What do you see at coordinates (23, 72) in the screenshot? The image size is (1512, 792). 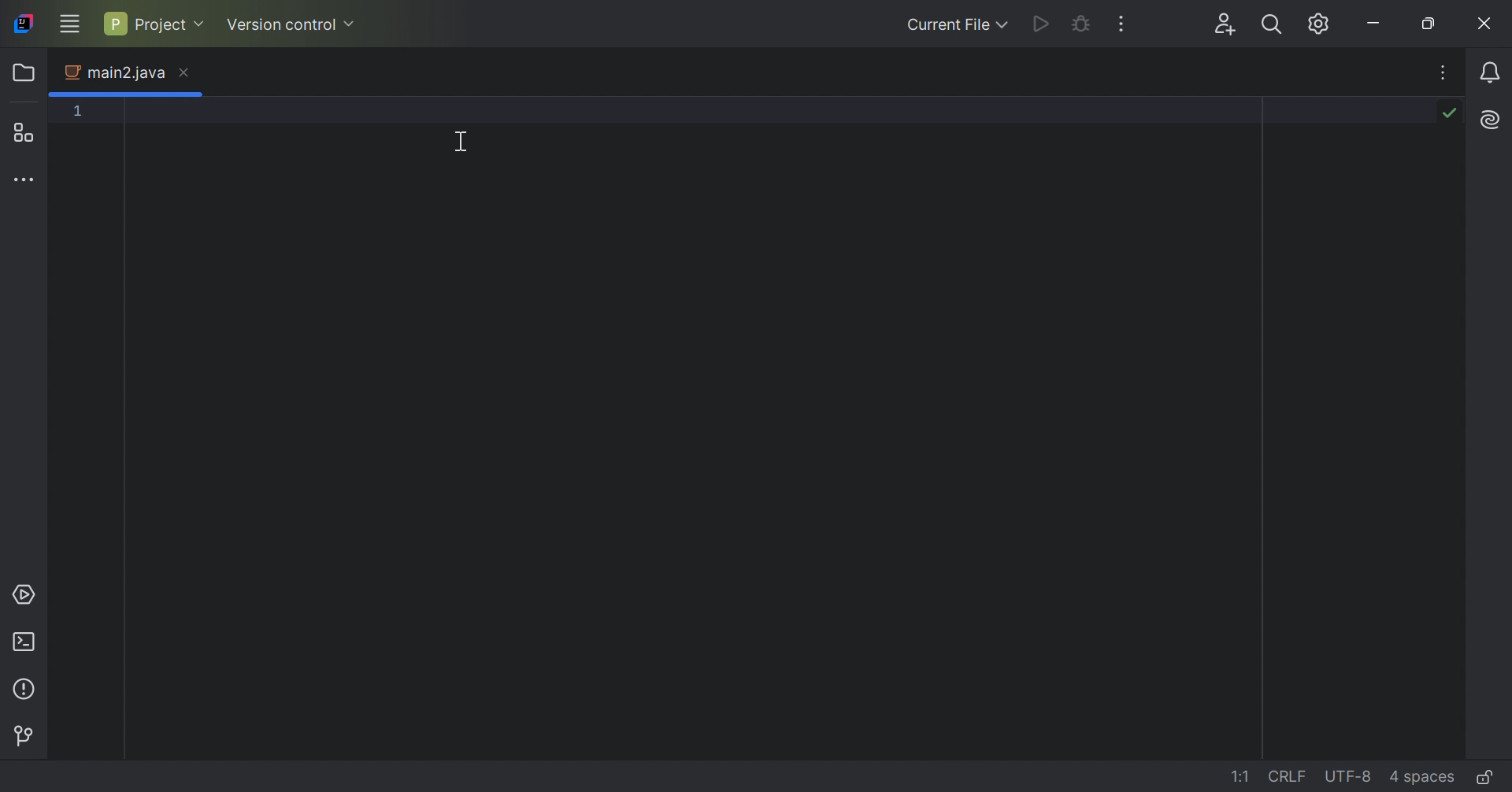 I see `Folder icon` at bounding box center [23, 72].